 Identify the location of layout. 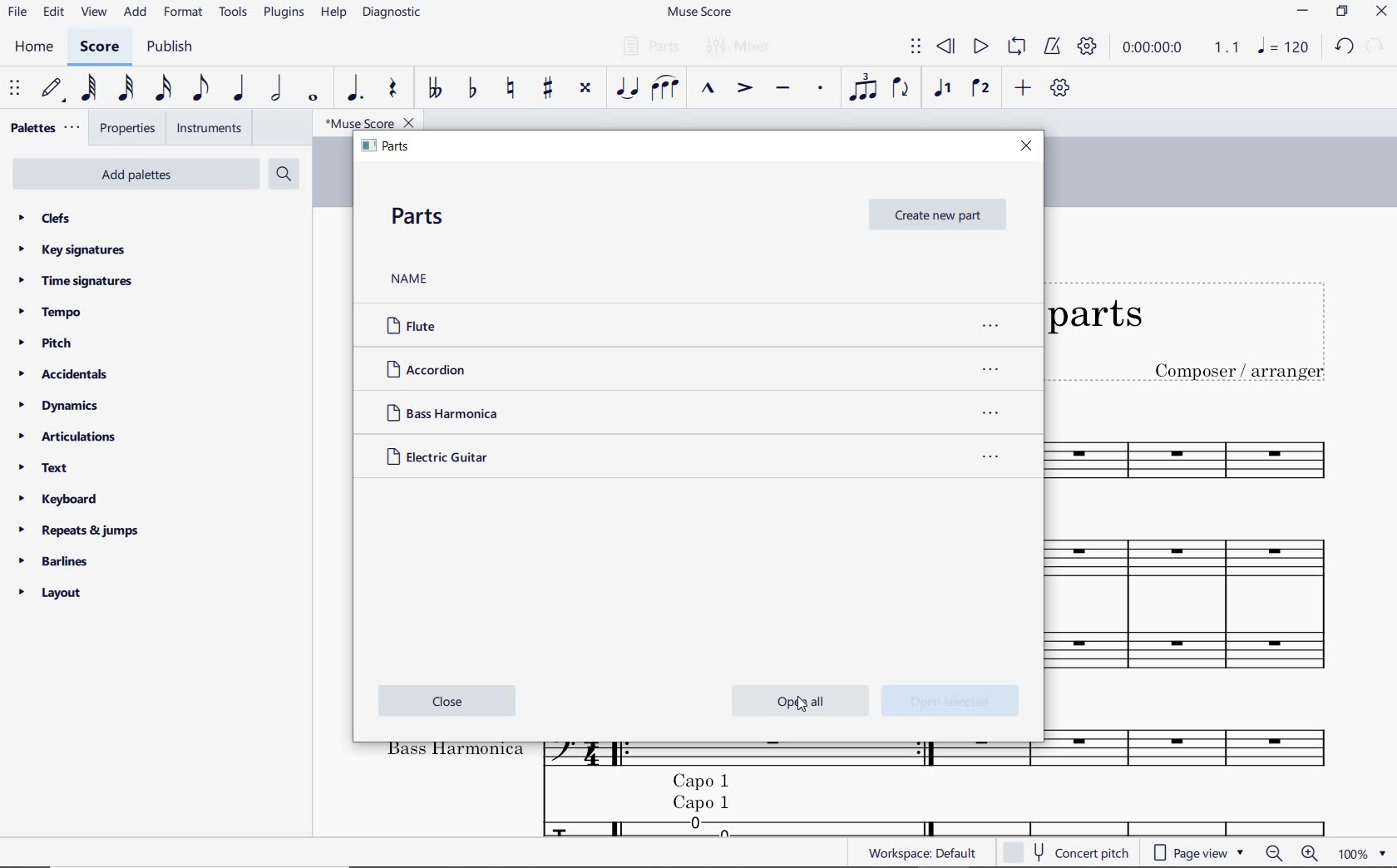
(52, 593).